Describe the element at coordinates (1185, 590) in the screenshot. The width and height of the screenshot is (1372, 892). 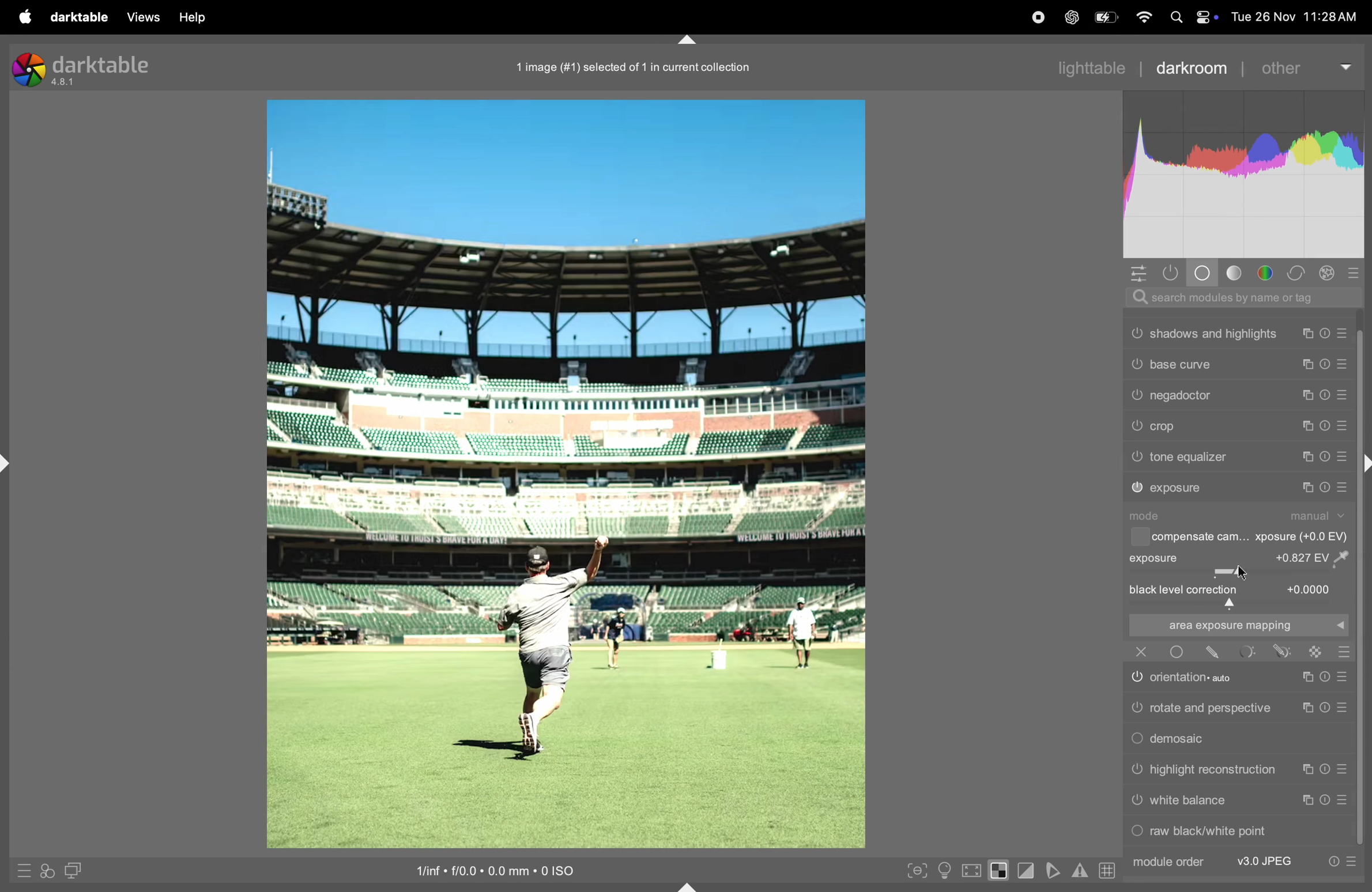
I see `black level correcion` at that location.